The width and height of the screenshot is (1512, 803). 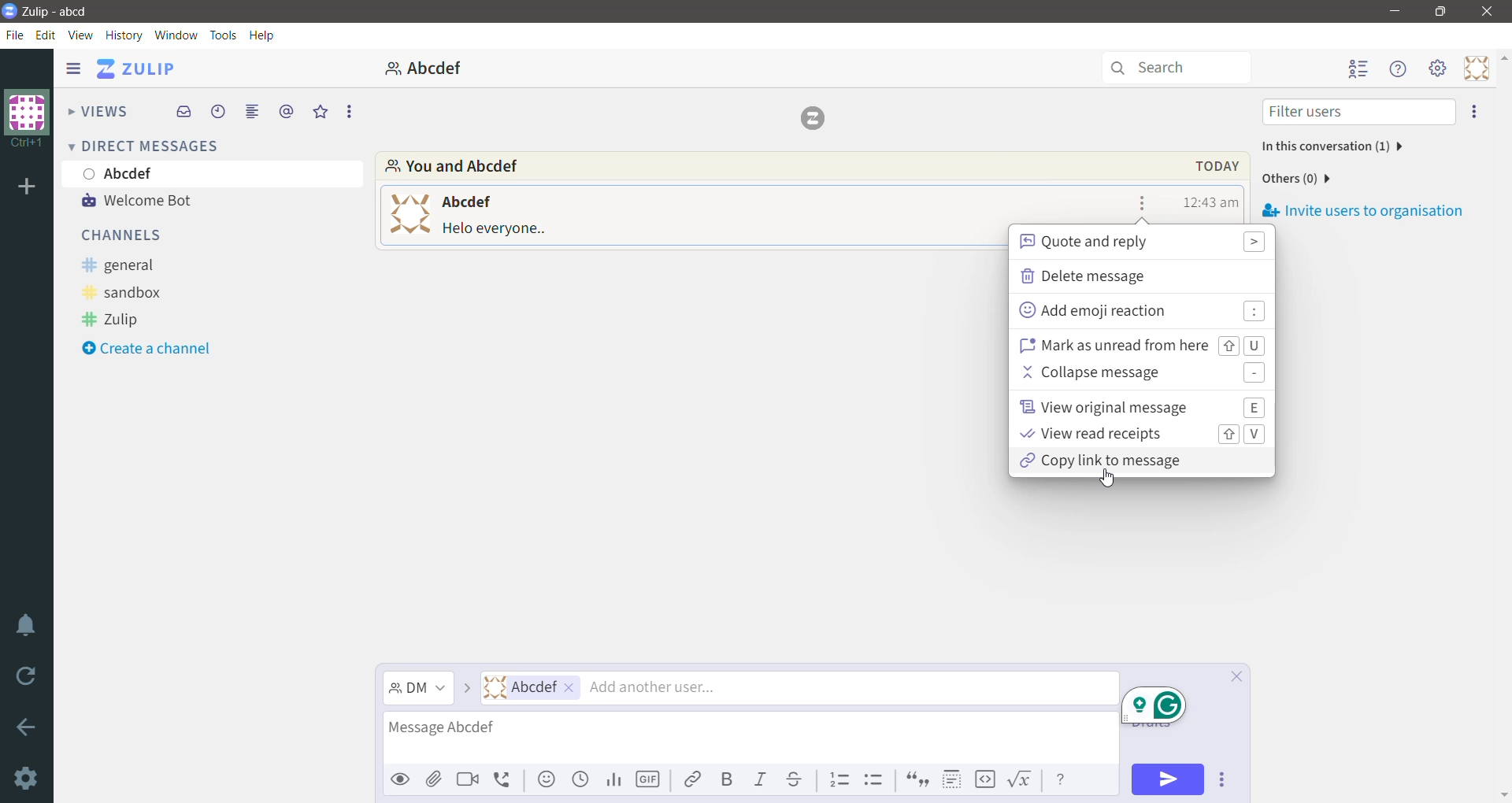 What do you see at coordinates (986, 780) in the screenshot?
I see `Code` at bounding box center [986, 780].